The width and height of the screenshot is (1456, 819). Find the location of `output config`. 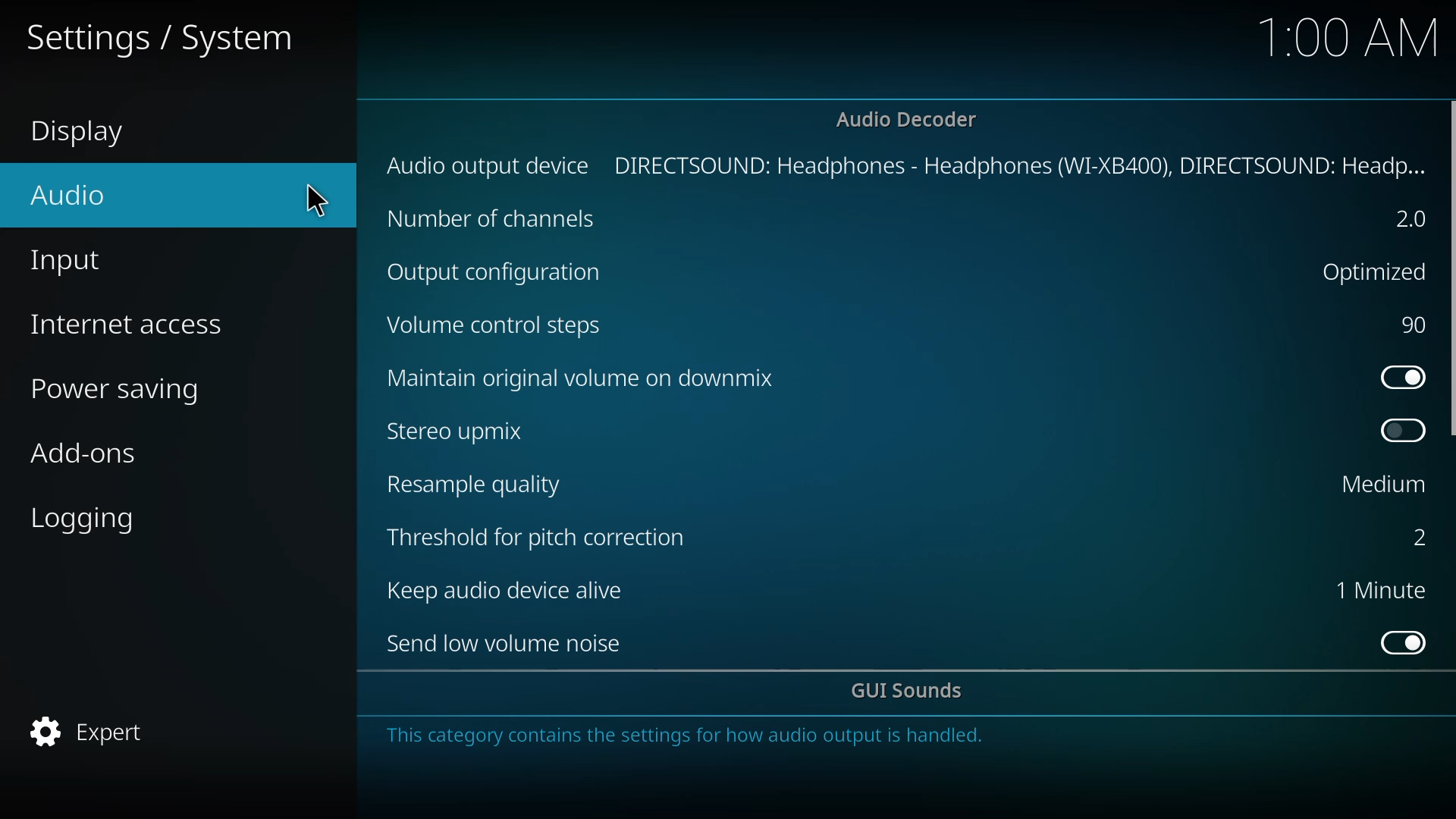

output config is located at coordinates (505, 273).